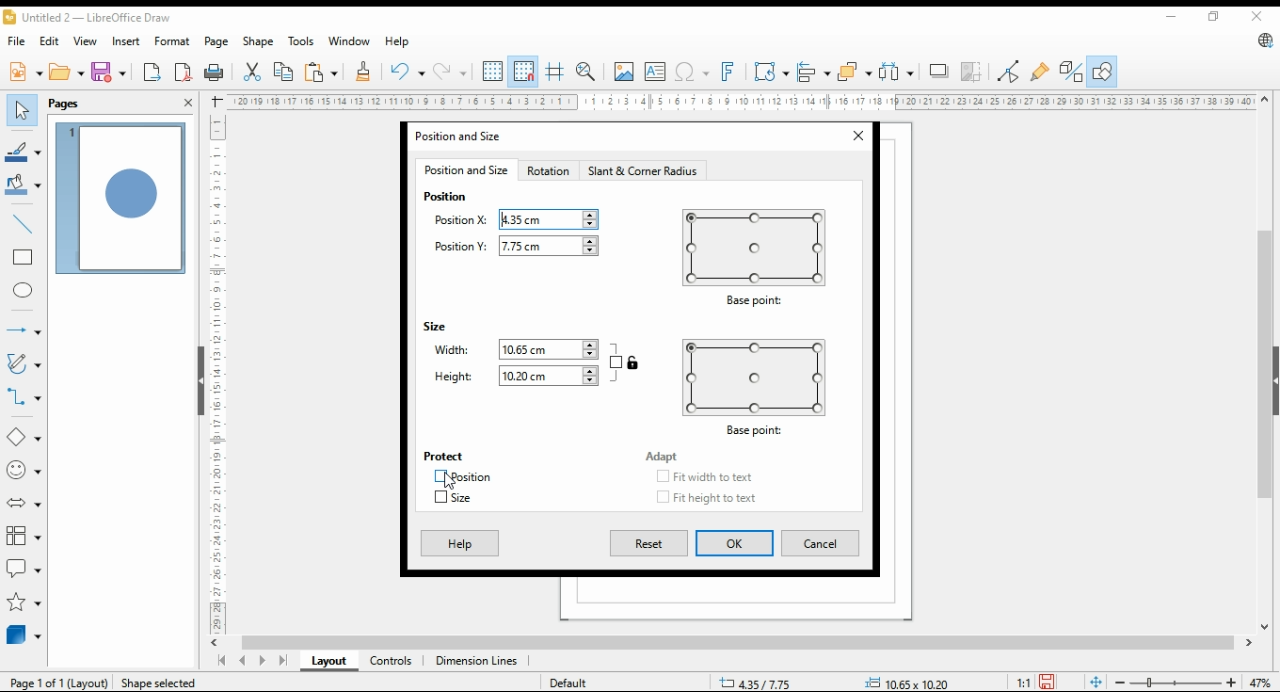 The height and width of the screenshot is (692, 1280). What do you see at coordinates (261, 660) in the screenshot?
I see `next page` at bounding box center [261, 660].